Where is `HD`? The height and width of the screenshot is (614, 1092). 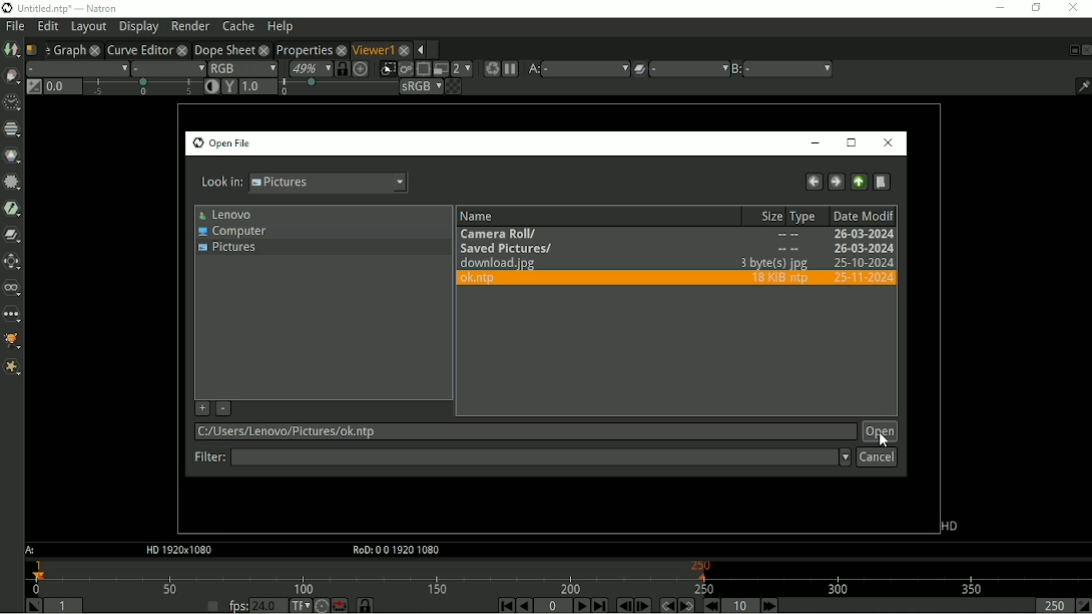 HD is located at coordinates (949, 526).